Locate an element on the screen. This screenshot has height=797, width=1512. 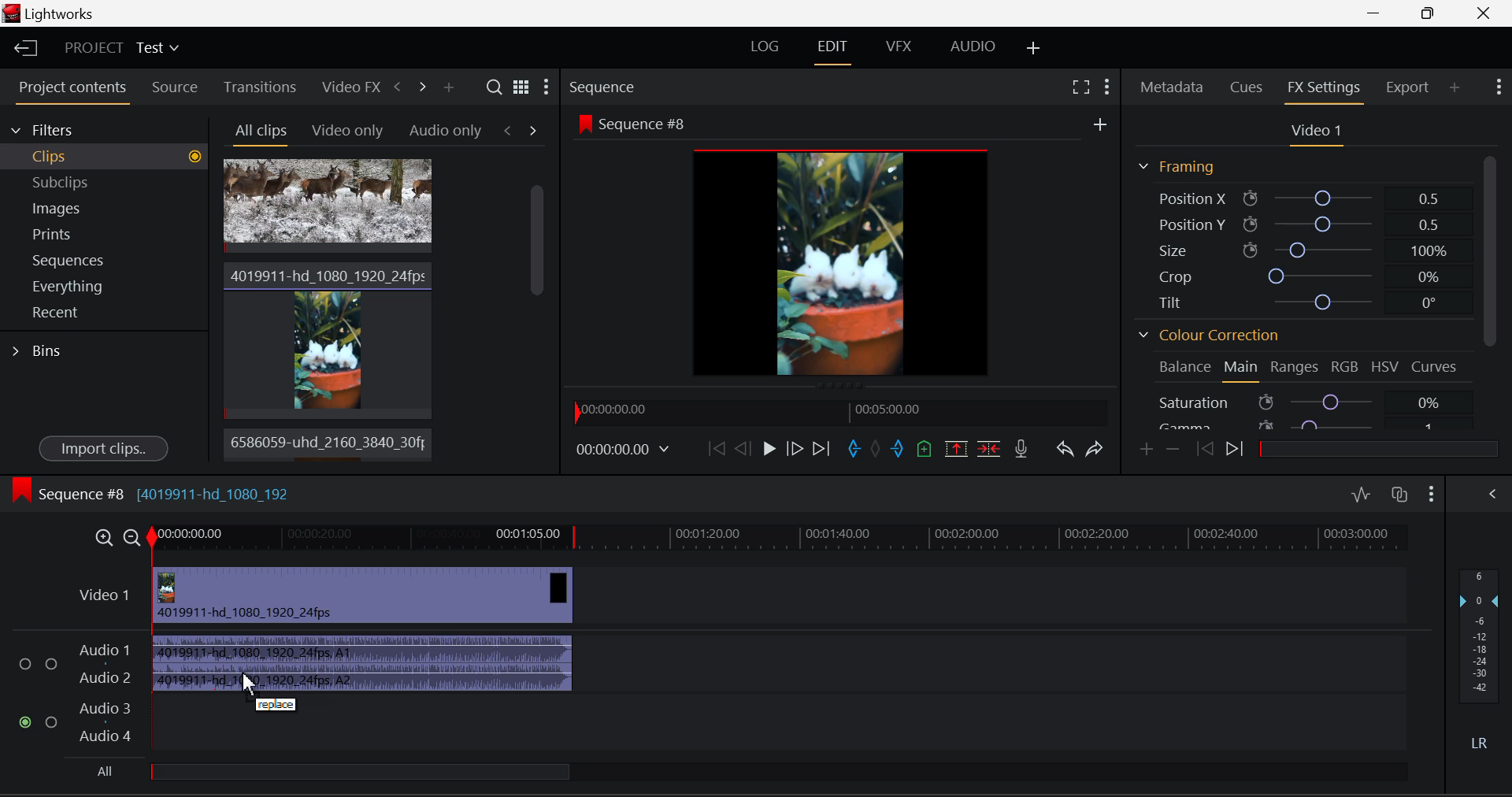
Project Title is located at coordinates (120, 48).